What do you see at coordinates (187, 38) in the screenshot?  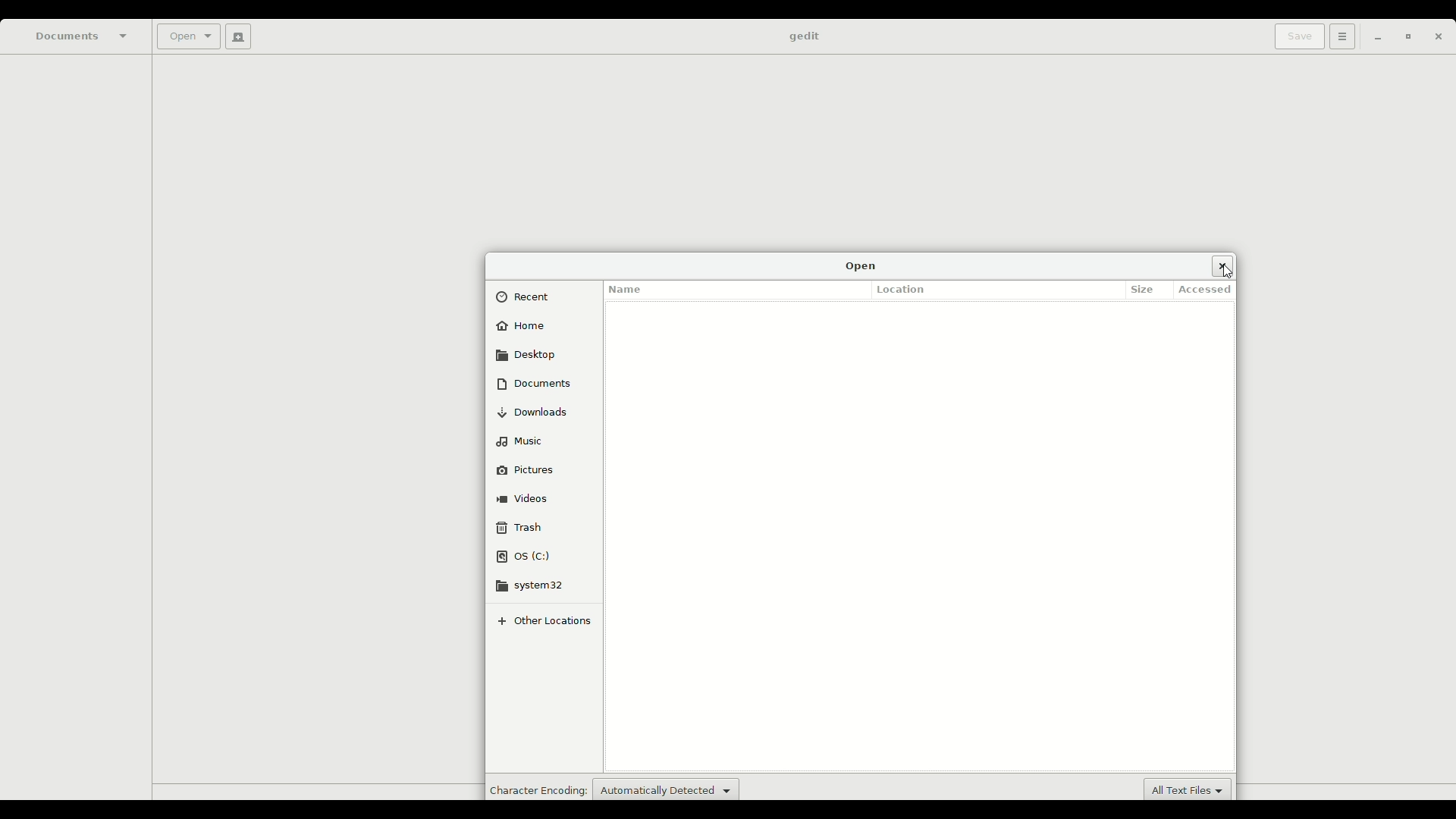 I see `Open` at bounding box center [187, 38].